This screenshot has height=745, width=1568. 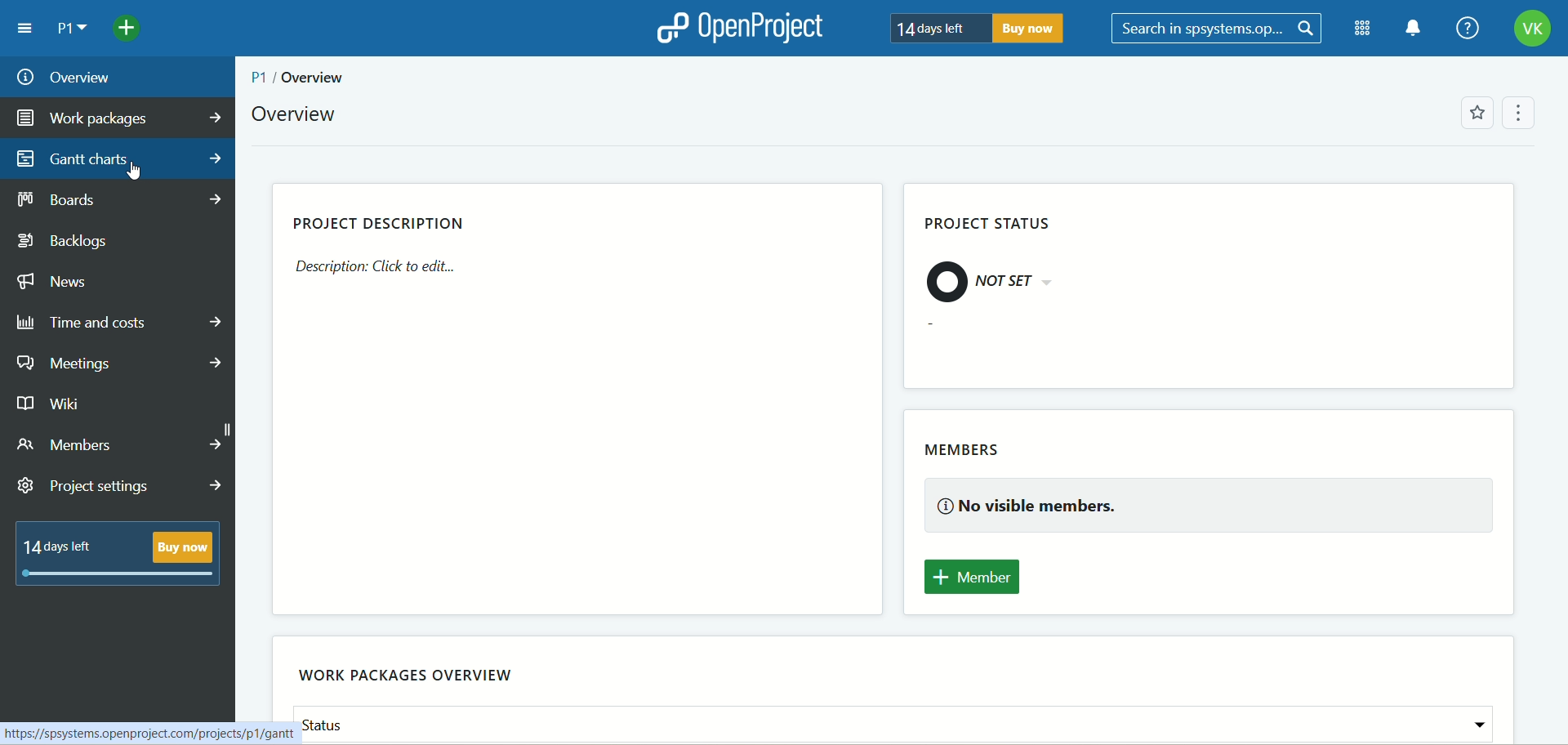 I want to click on notification, so click(x=1412, y=29).